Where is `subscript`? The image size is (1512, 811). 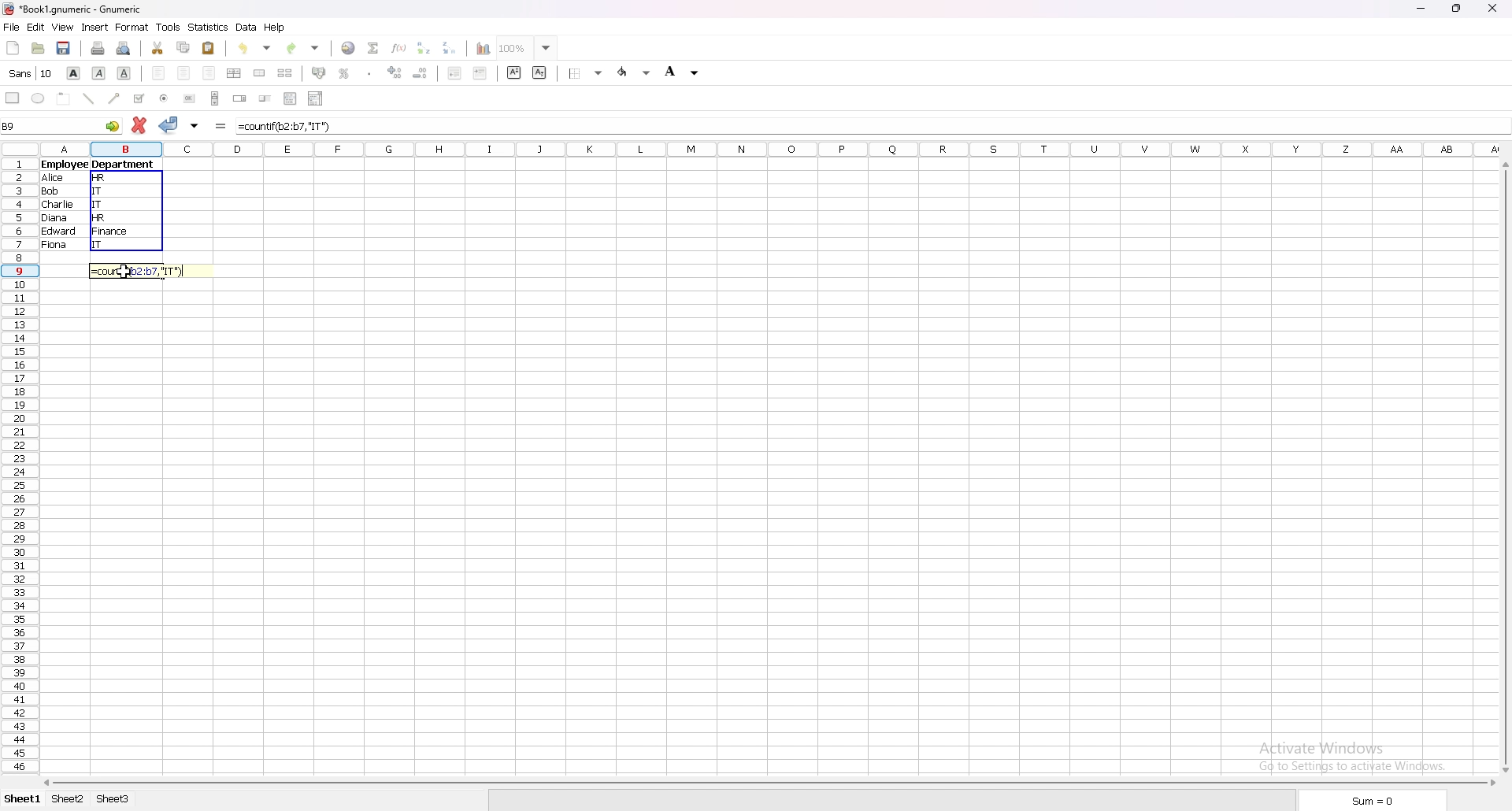 subscript is located at coordinates (539, 72).